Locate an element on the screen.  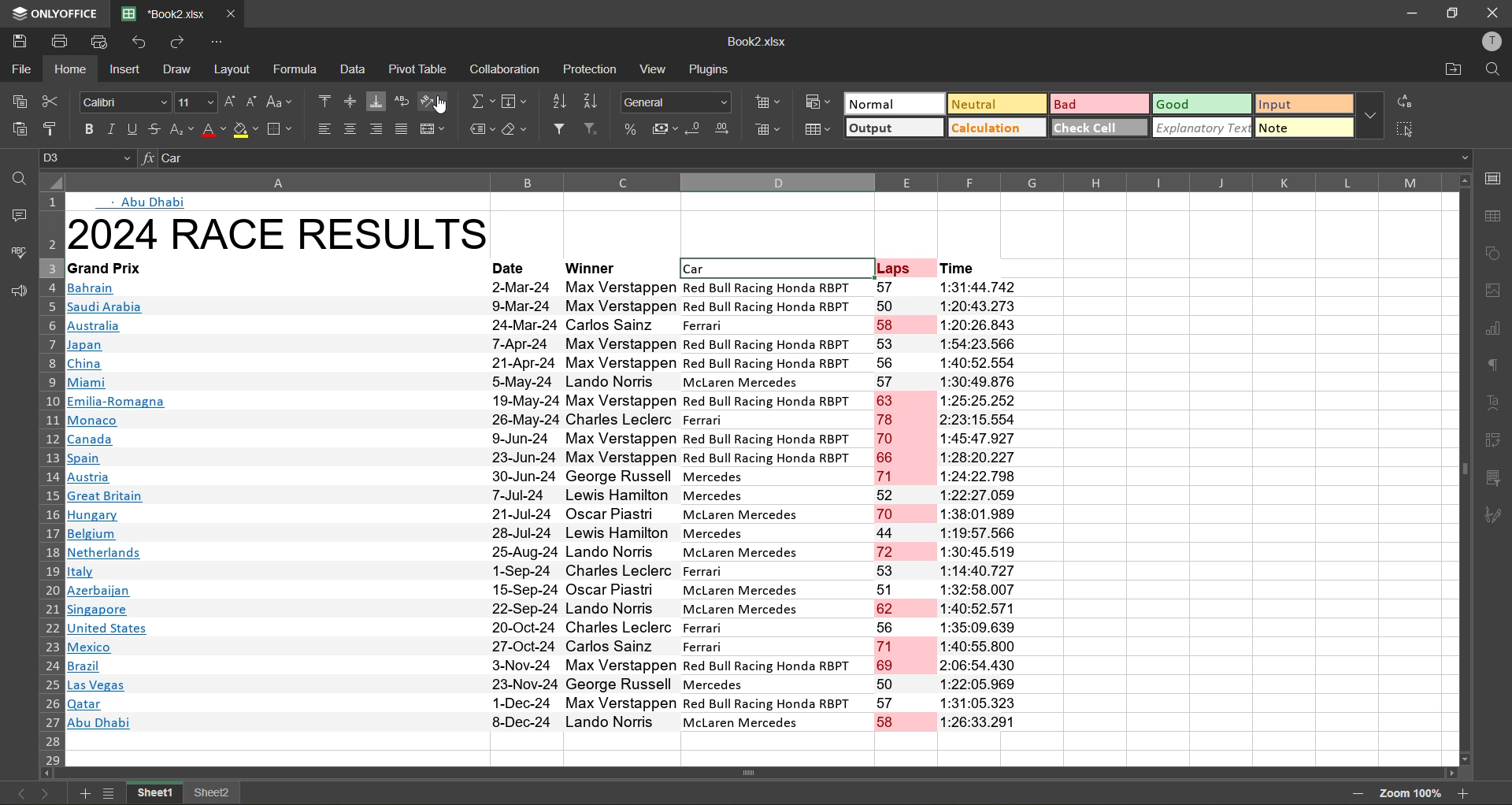
save is located at coordinates (20, 42).